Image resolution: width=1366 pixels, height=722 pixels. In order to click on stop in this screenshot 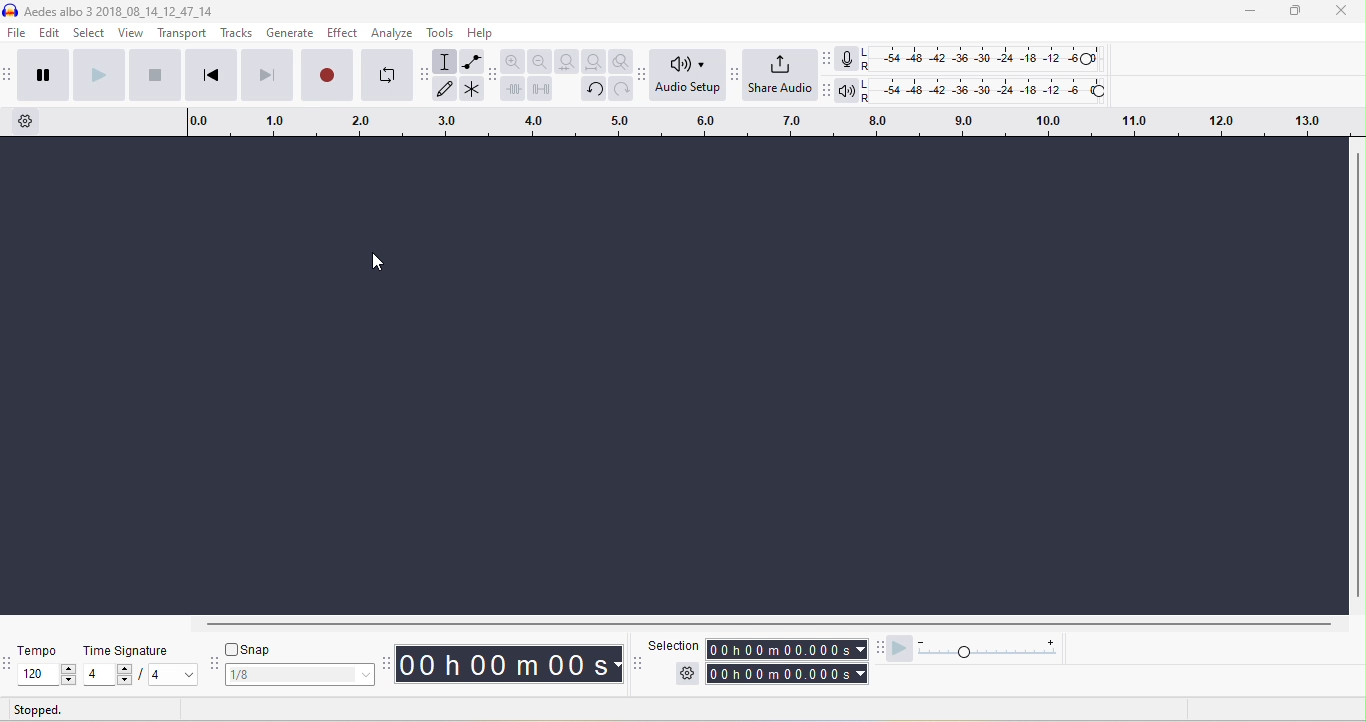, I will do `click(154, 74)`.